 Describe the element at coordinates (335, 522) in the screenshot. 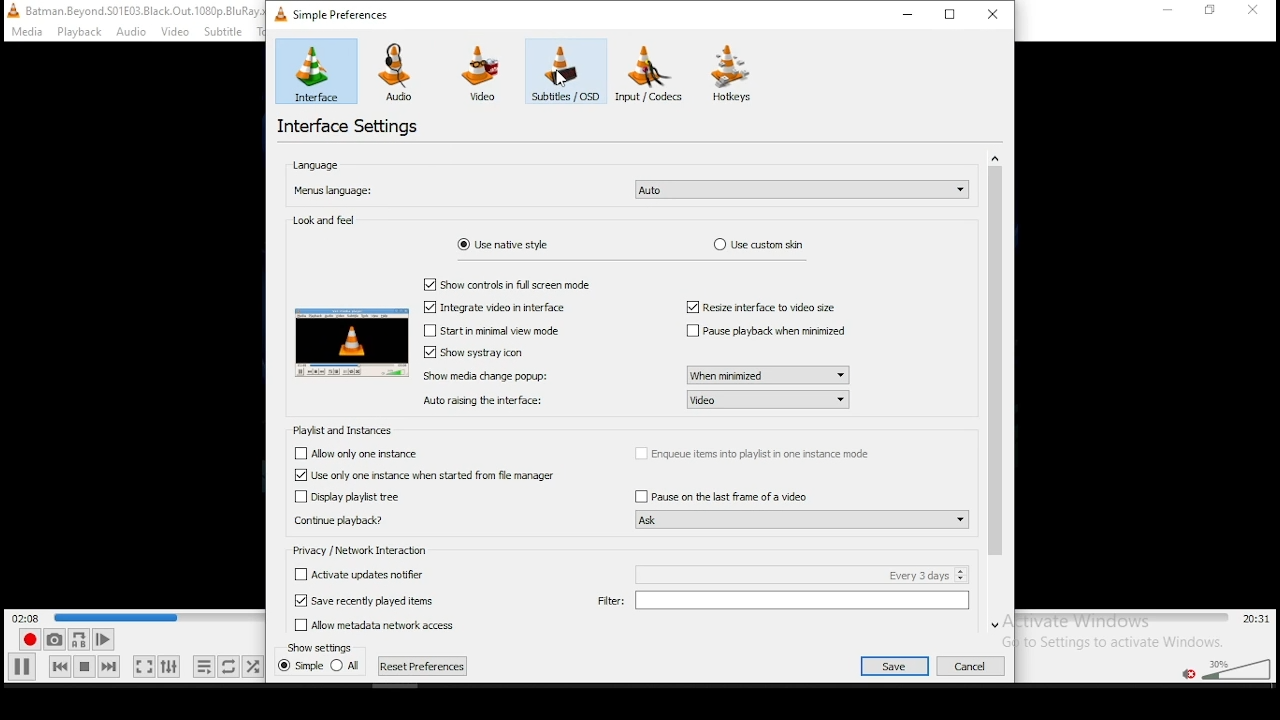

I see `` at that location.